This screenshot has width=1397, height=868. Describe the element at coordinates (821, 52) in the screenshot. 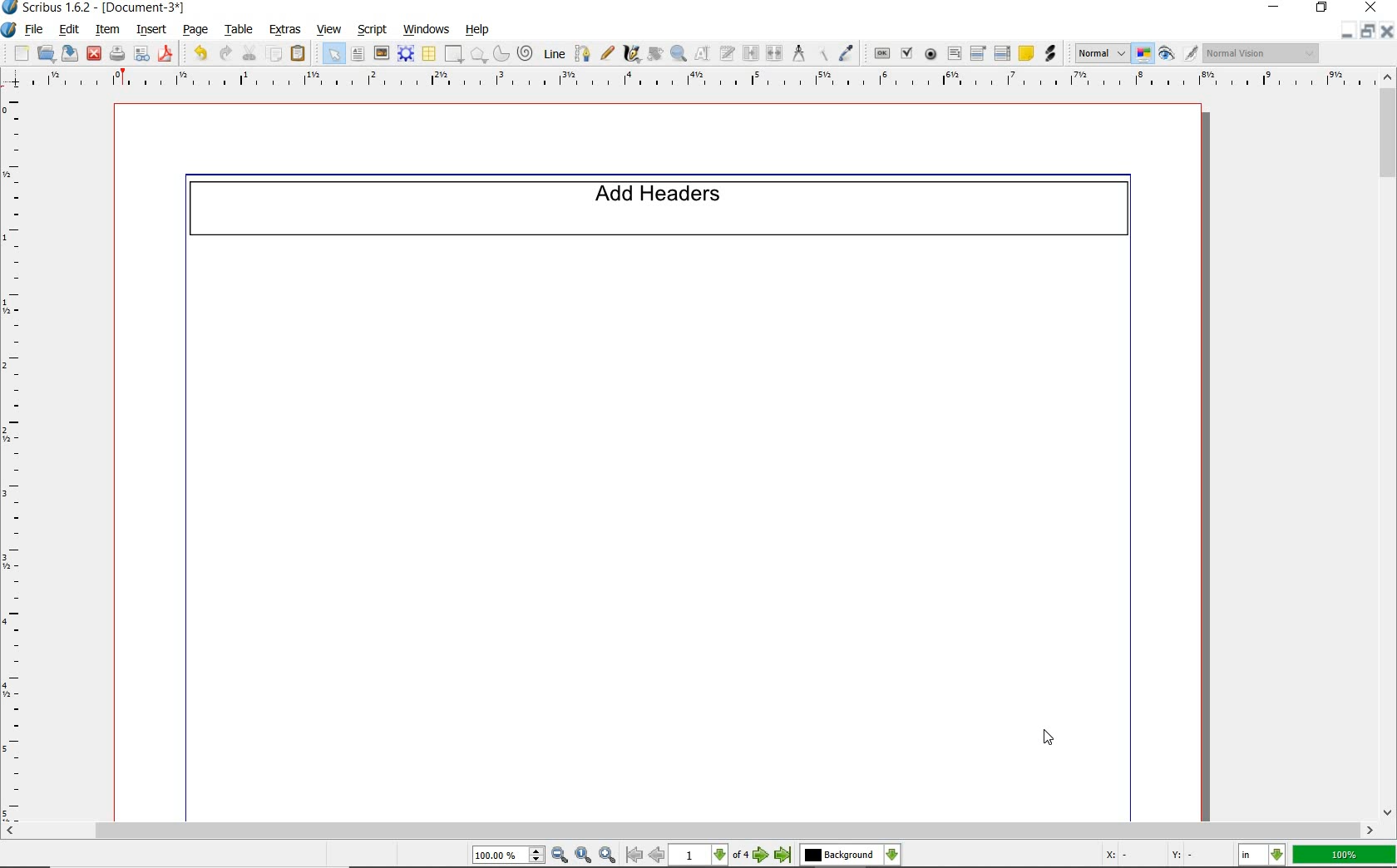

I see `copy item properties` at that location.